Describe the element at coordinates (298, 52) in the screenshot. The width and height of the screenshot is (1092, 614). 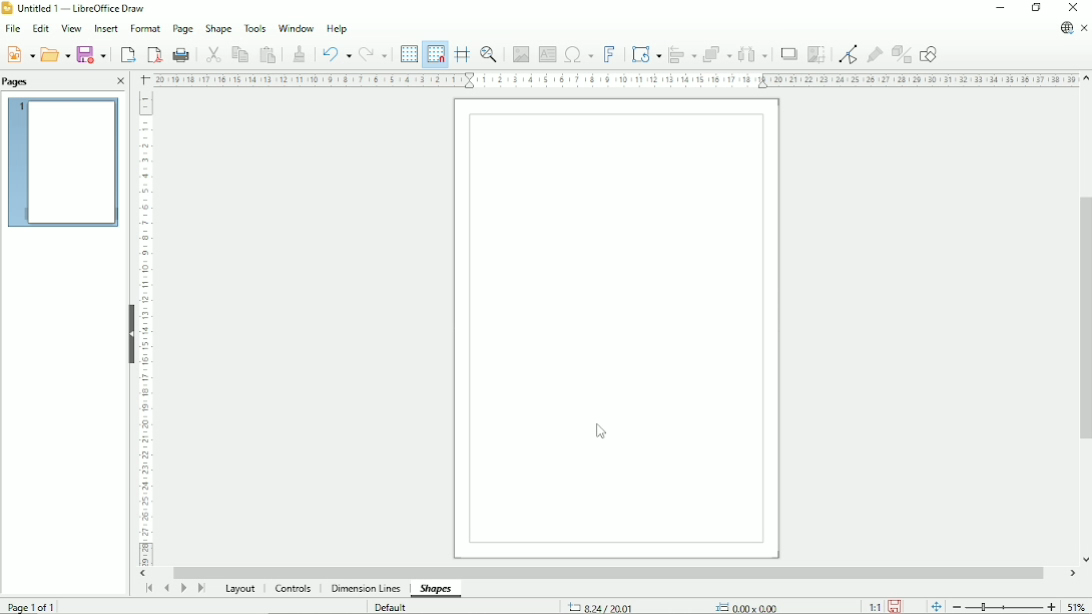
I see `Clone formatting` at that location.